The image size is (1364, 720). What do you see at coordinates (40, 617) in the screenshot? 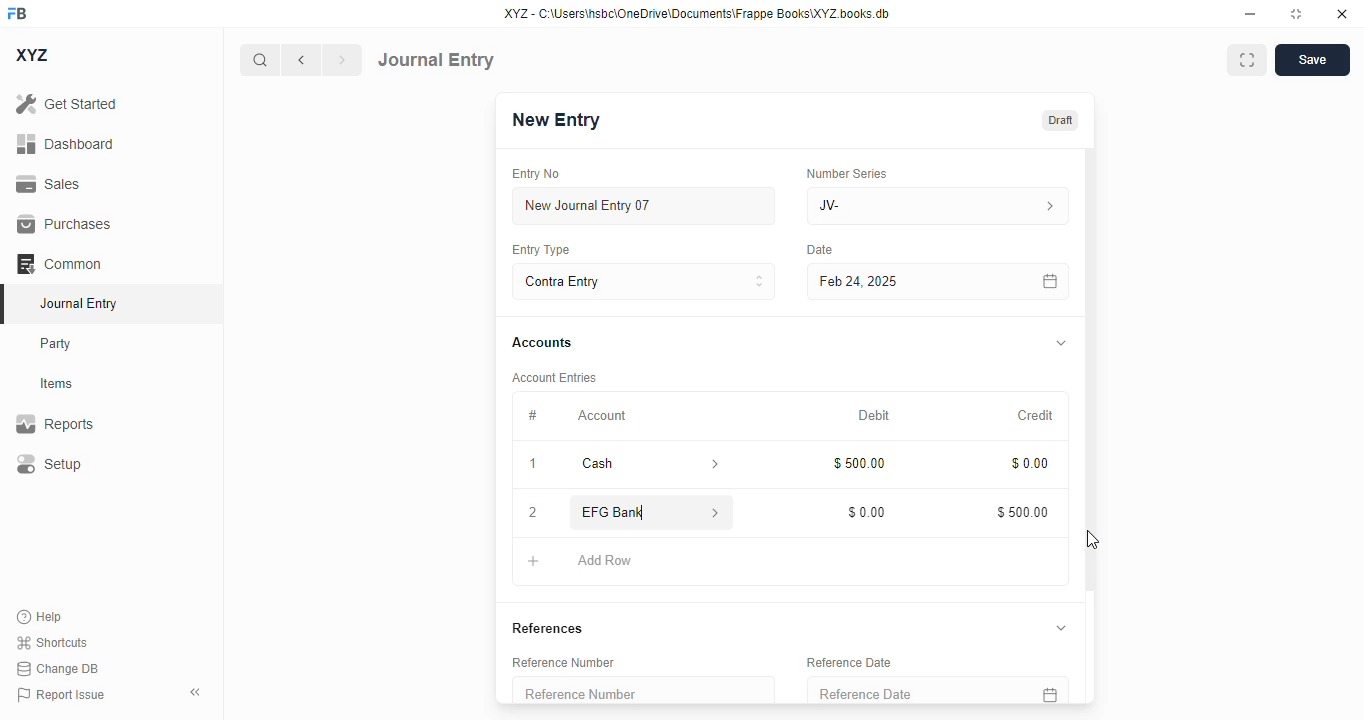
I see `help` at bounding box center [40, 617].